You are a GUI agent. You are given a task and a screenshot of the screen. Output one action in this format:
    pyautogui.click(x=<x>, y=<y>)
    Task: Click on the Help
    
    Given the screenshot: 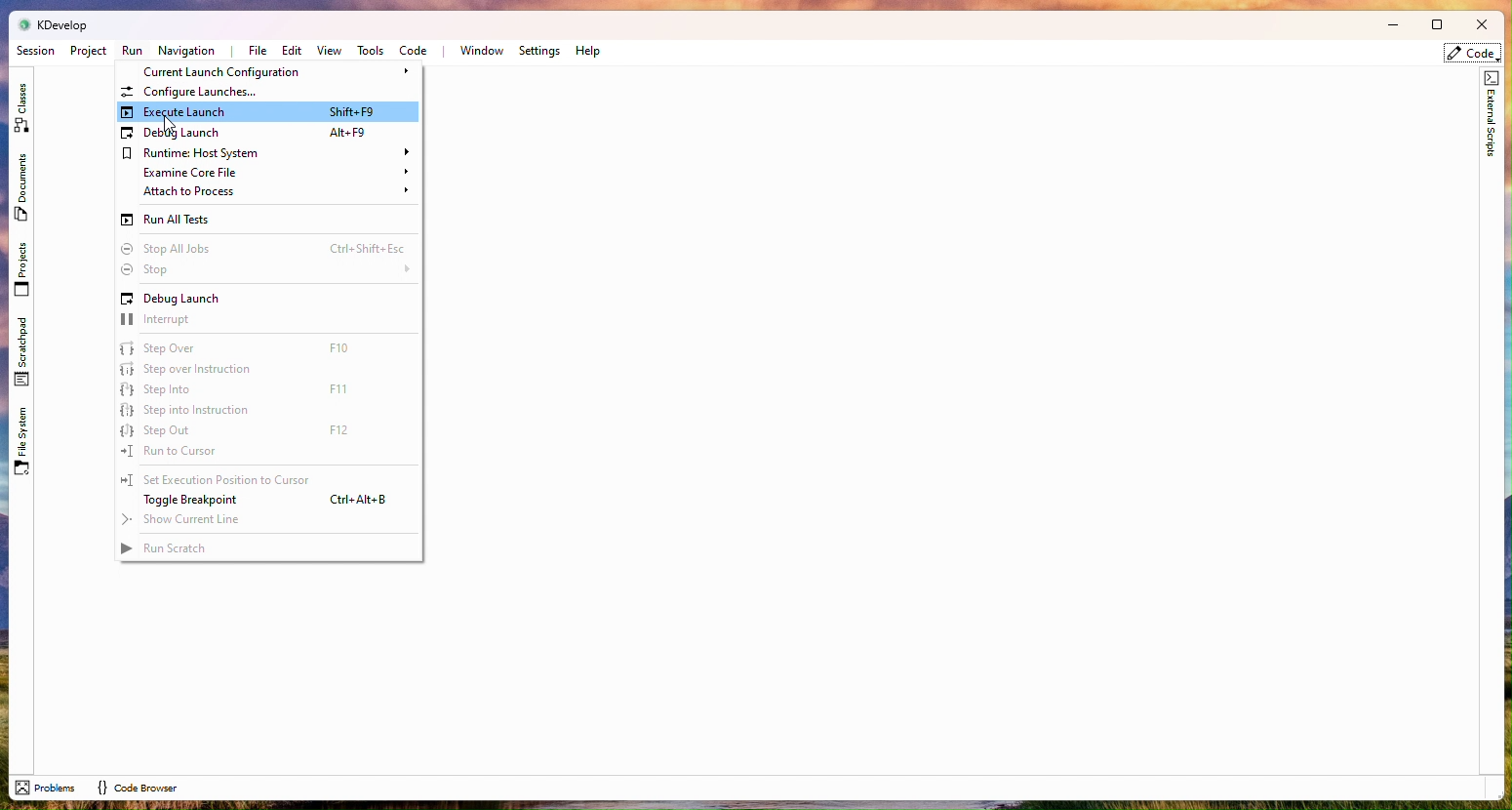 What is the action you would take?
    pyautogui.click(x=589, y=51)
    